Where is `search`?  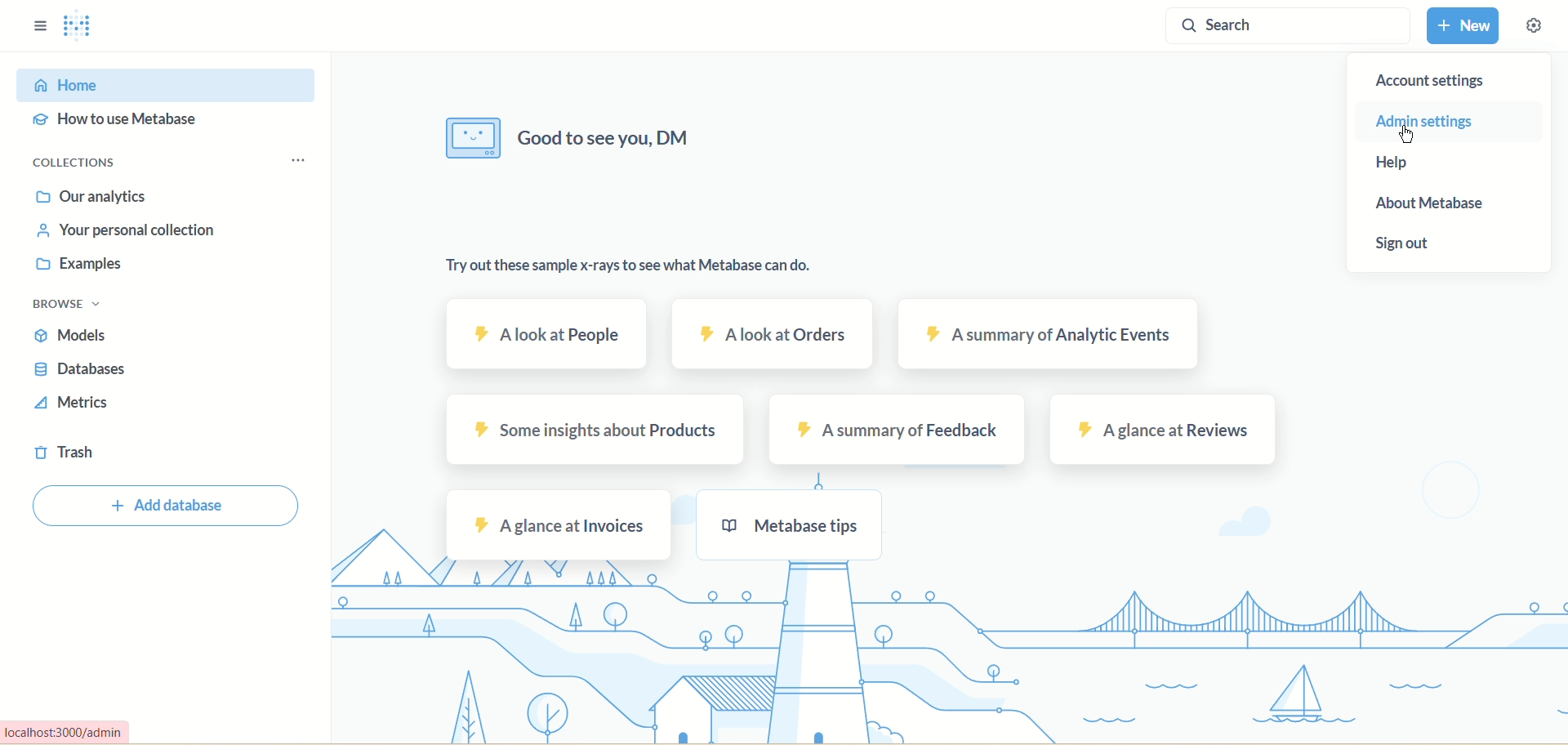
search is located at coordinates (1281, 29).